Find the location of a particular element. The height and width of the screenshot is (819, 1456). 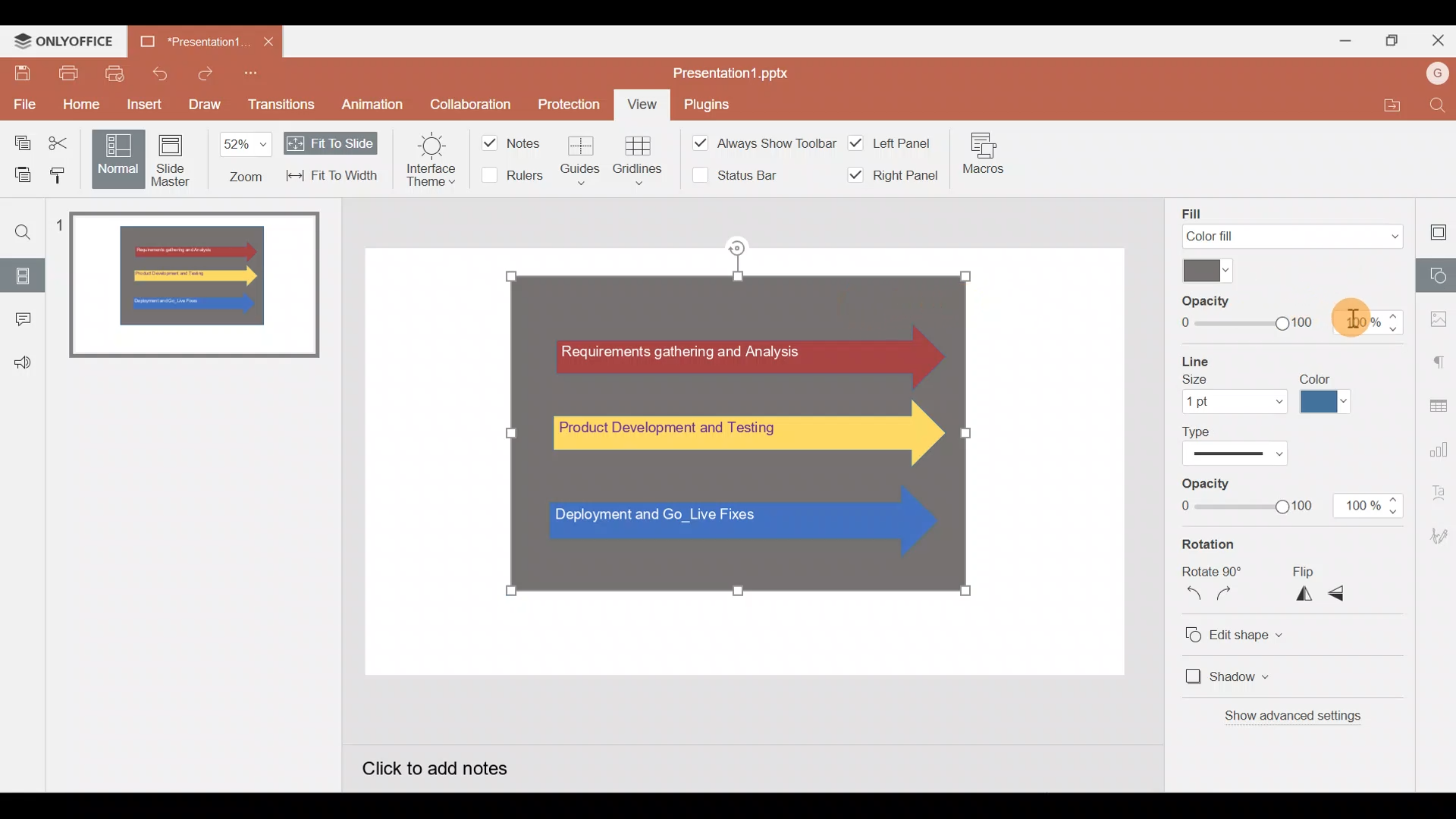

Show advanced settings is located at coordinates (1312, 717).